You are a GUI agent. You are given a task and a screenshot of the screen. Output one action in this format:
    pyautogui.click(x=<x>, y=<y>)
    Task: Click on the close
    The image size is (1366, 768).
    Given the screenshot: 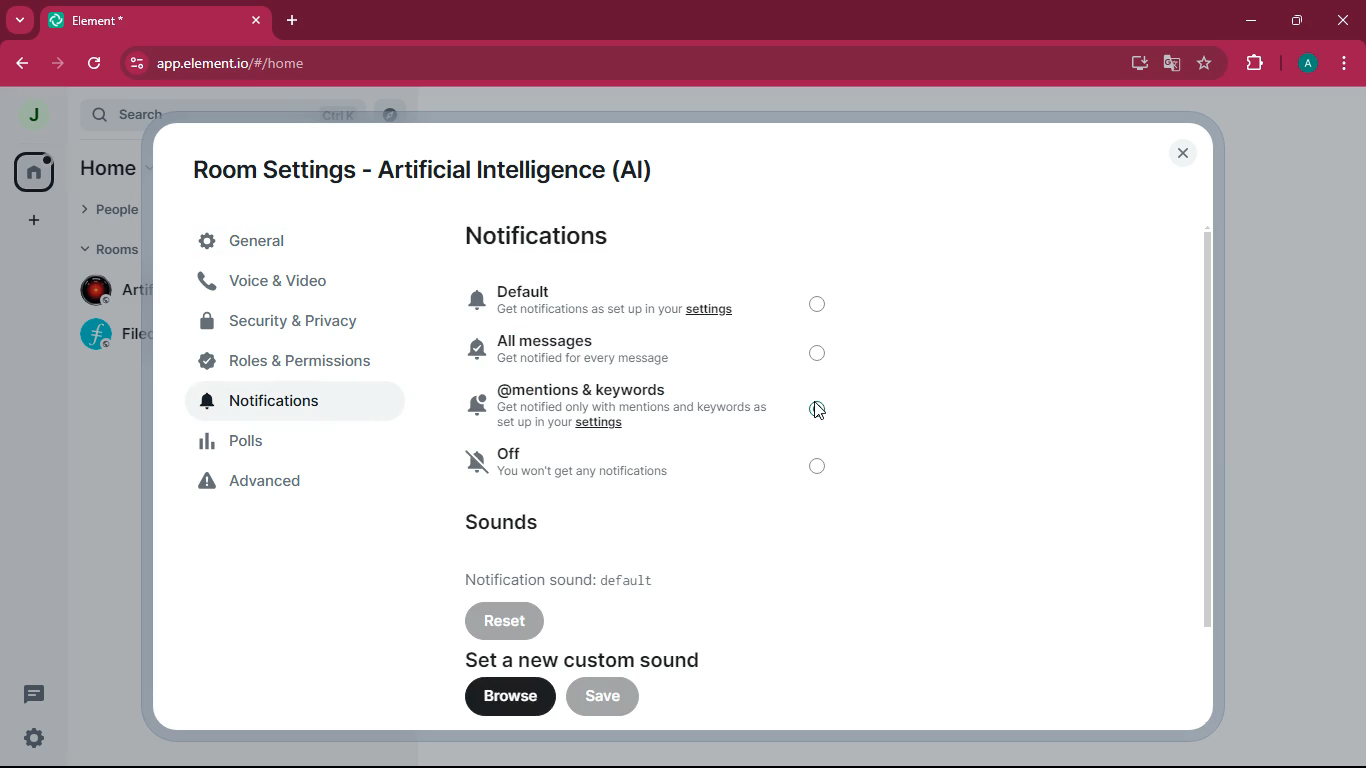 What is the action you would take?
    pyautogui.click(x=1183, y=153)
    